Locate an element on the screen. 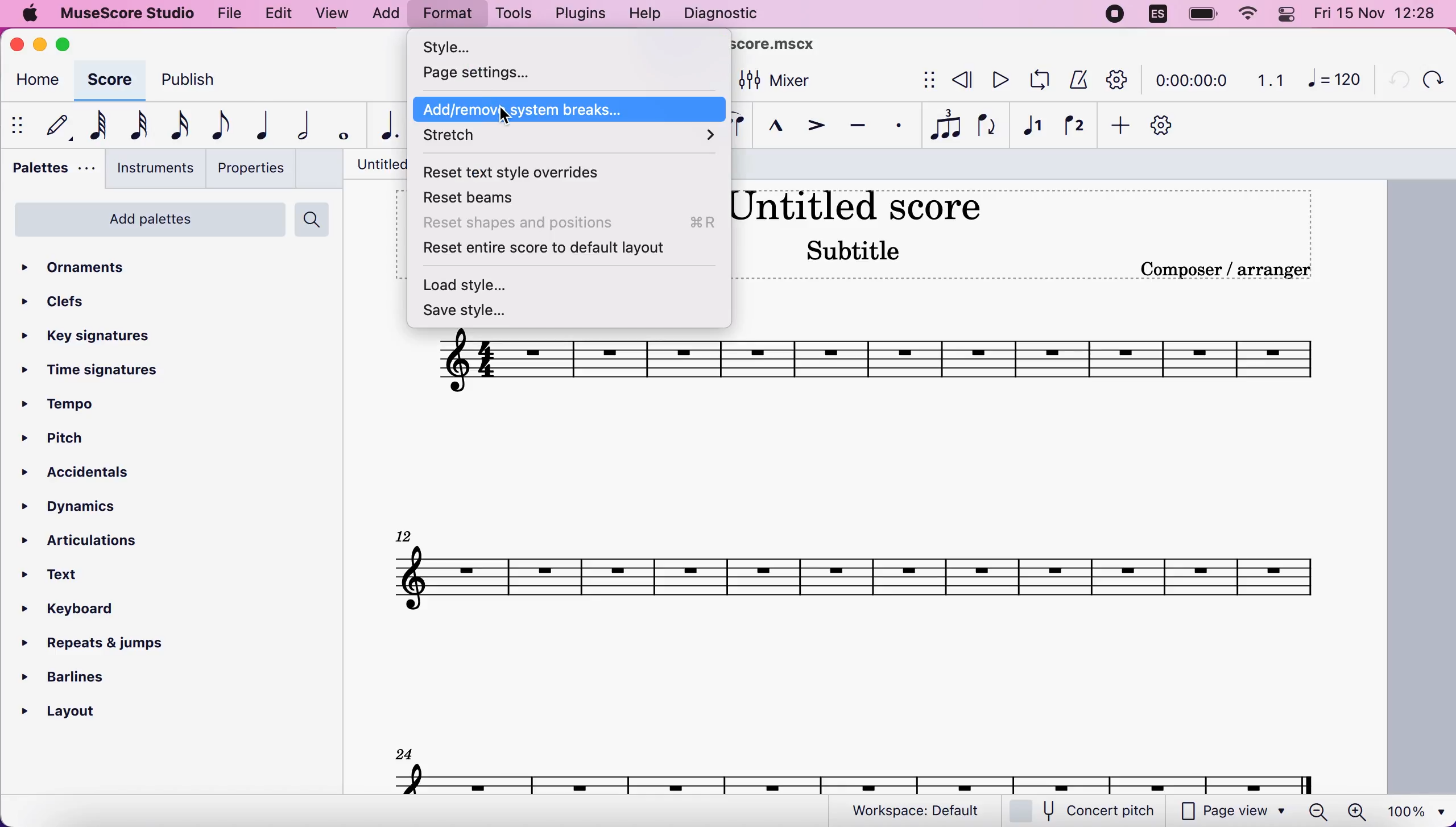  wifi is located at coordinates (1246, 14).